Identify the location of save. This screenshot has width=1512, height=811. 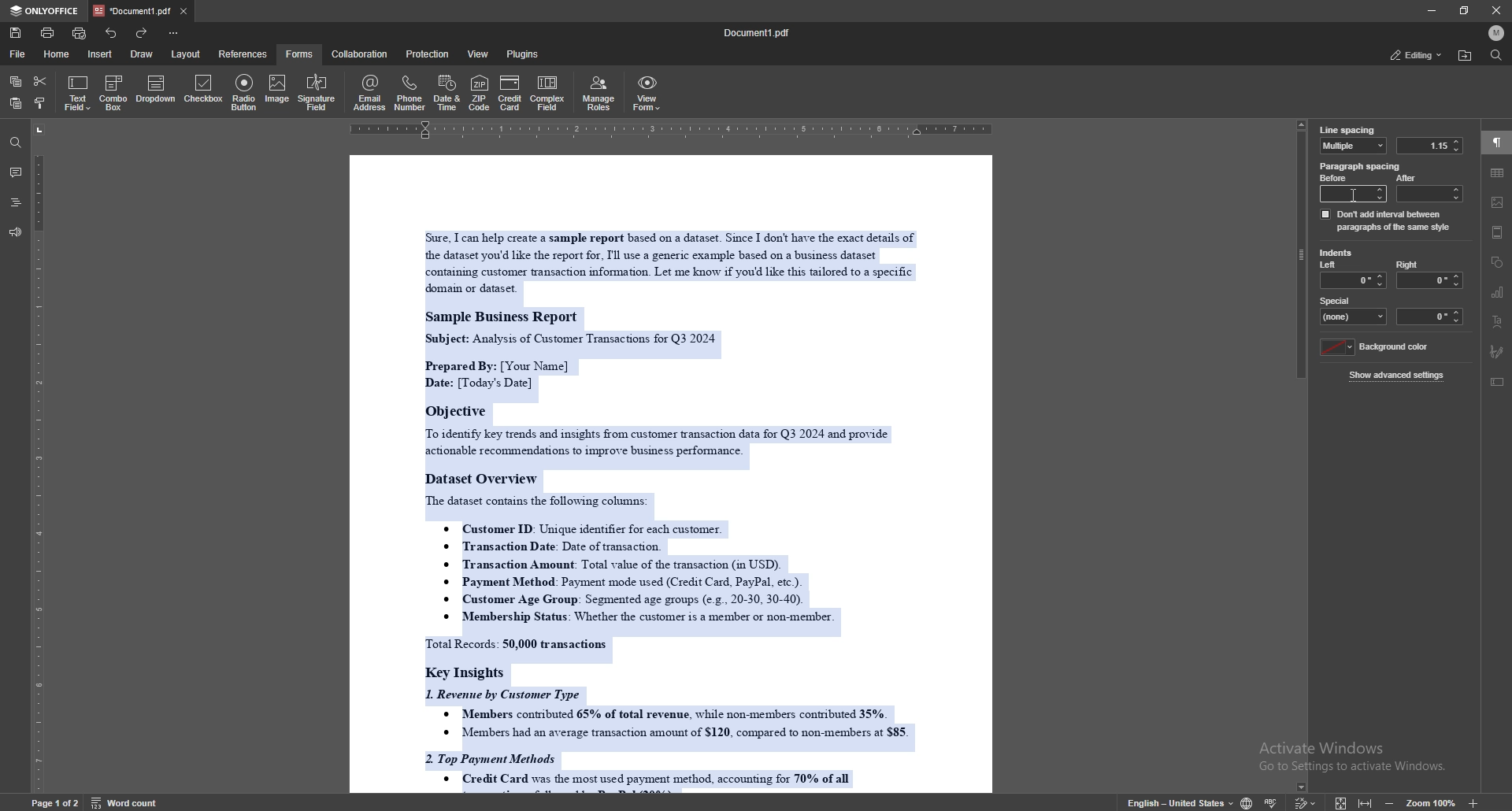
(16, 33).